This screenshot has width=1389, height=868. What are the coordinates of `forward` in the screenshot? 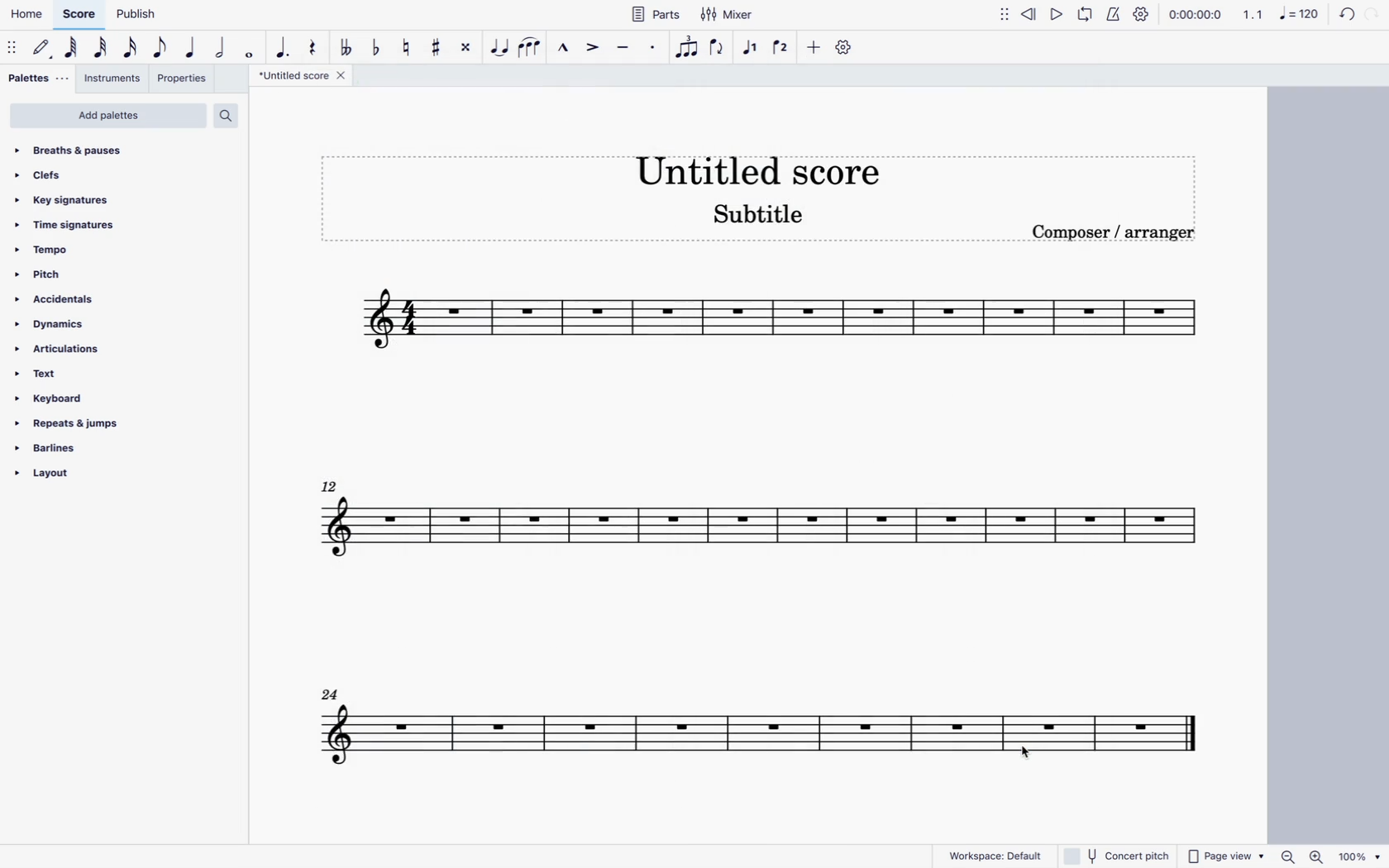 It's located at (1060, 12).